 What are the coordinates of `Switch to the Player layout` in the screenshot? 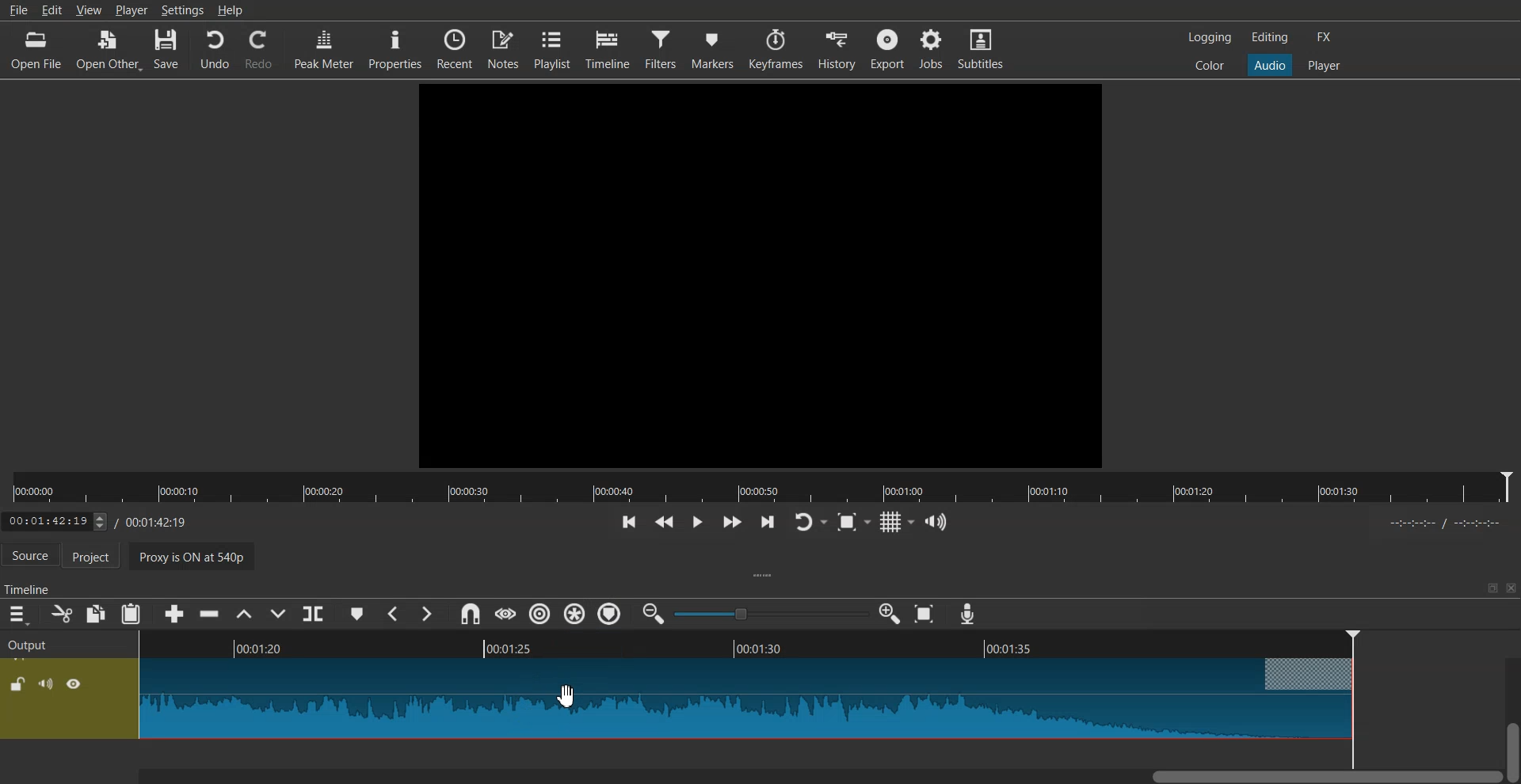 It's located at (1325, 64).